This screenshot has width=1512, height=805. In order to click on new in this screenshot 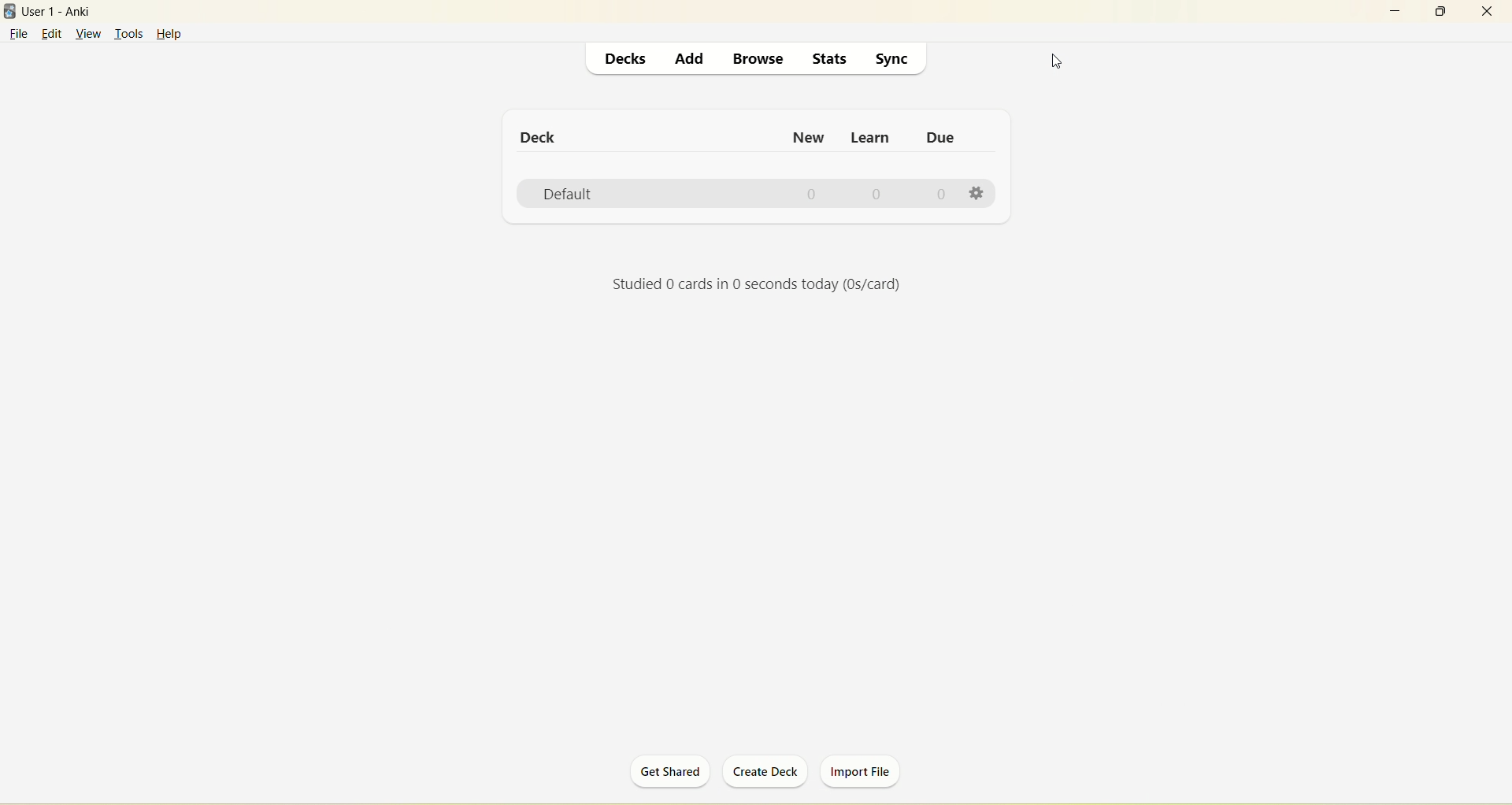, I will do `click(811, 139)`.